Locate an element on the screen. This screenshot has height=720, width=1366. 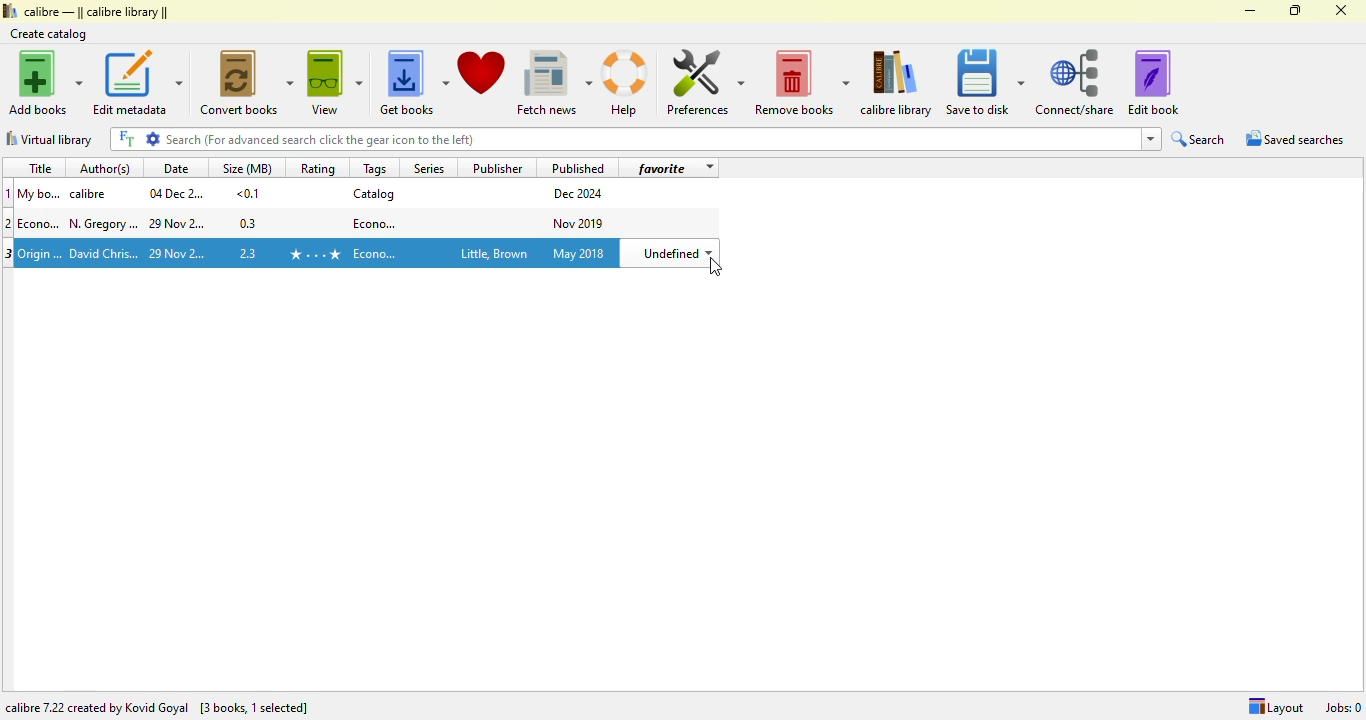
tag is located at coordinates (376, 222).